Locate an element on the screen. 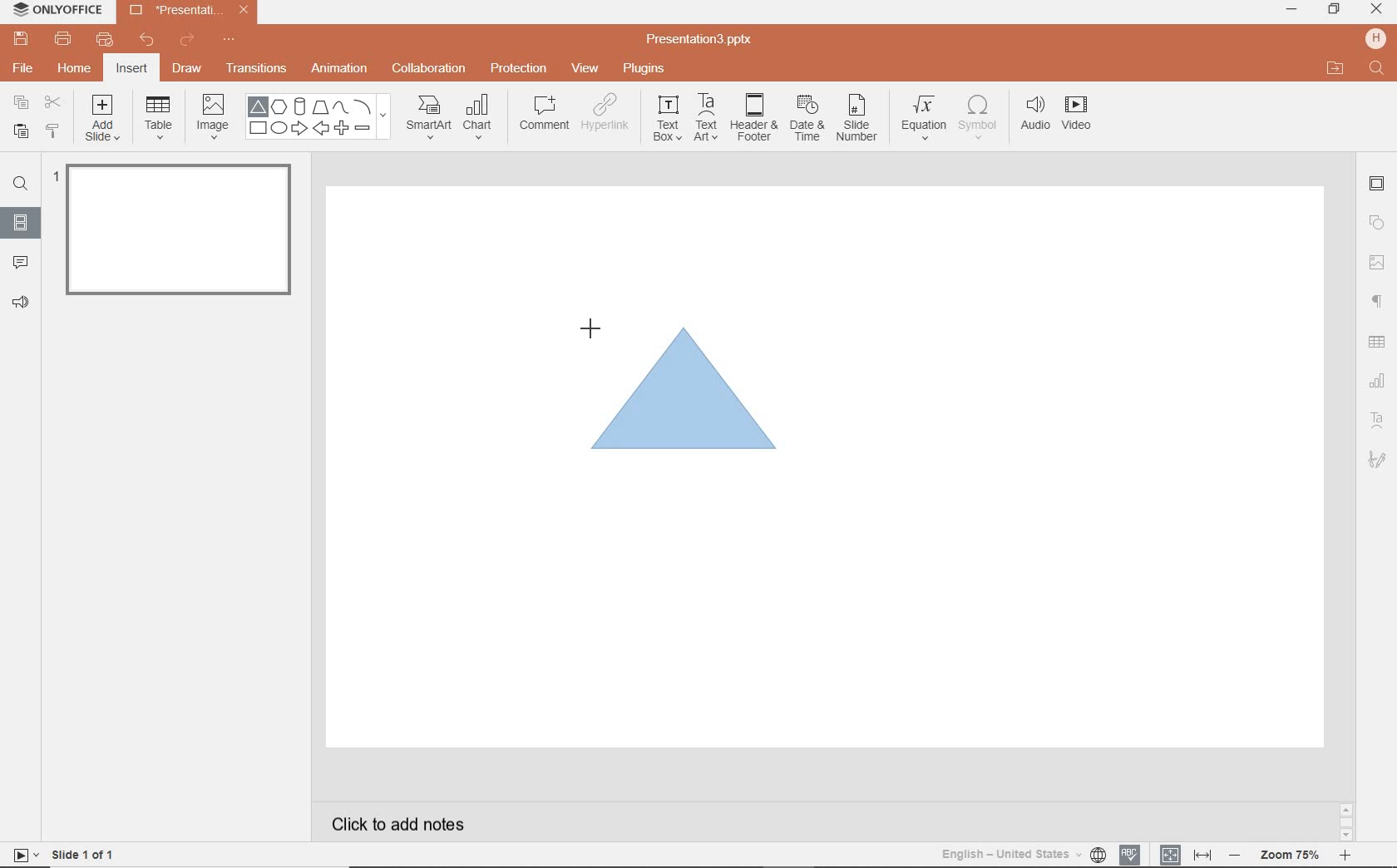 The width and height of the screenshot is (1397, 868). IMAGE SETTINGS is located at coordinates (1377, 262).